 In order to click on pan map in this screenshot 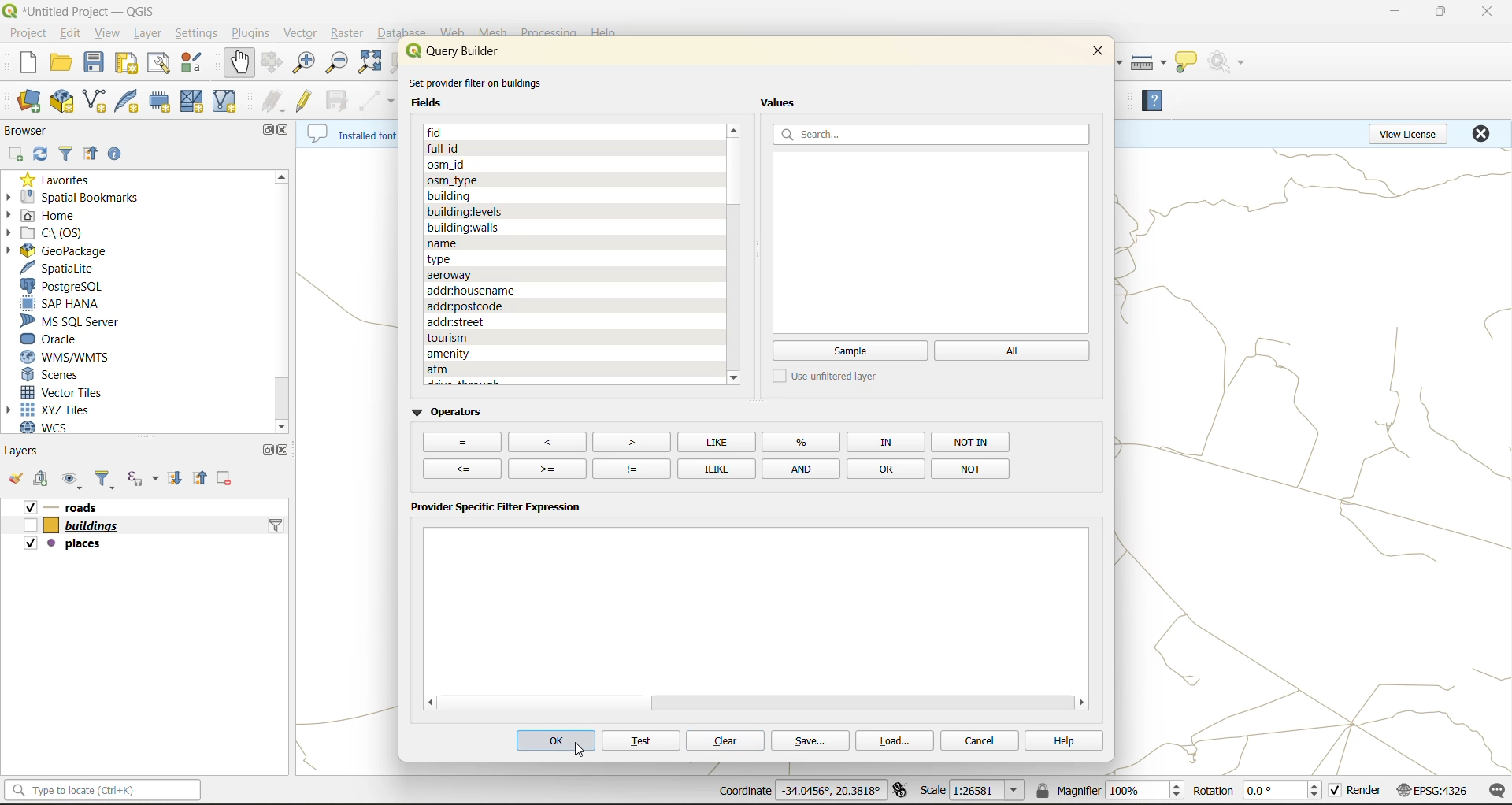, I will do `click(235, 65)`.